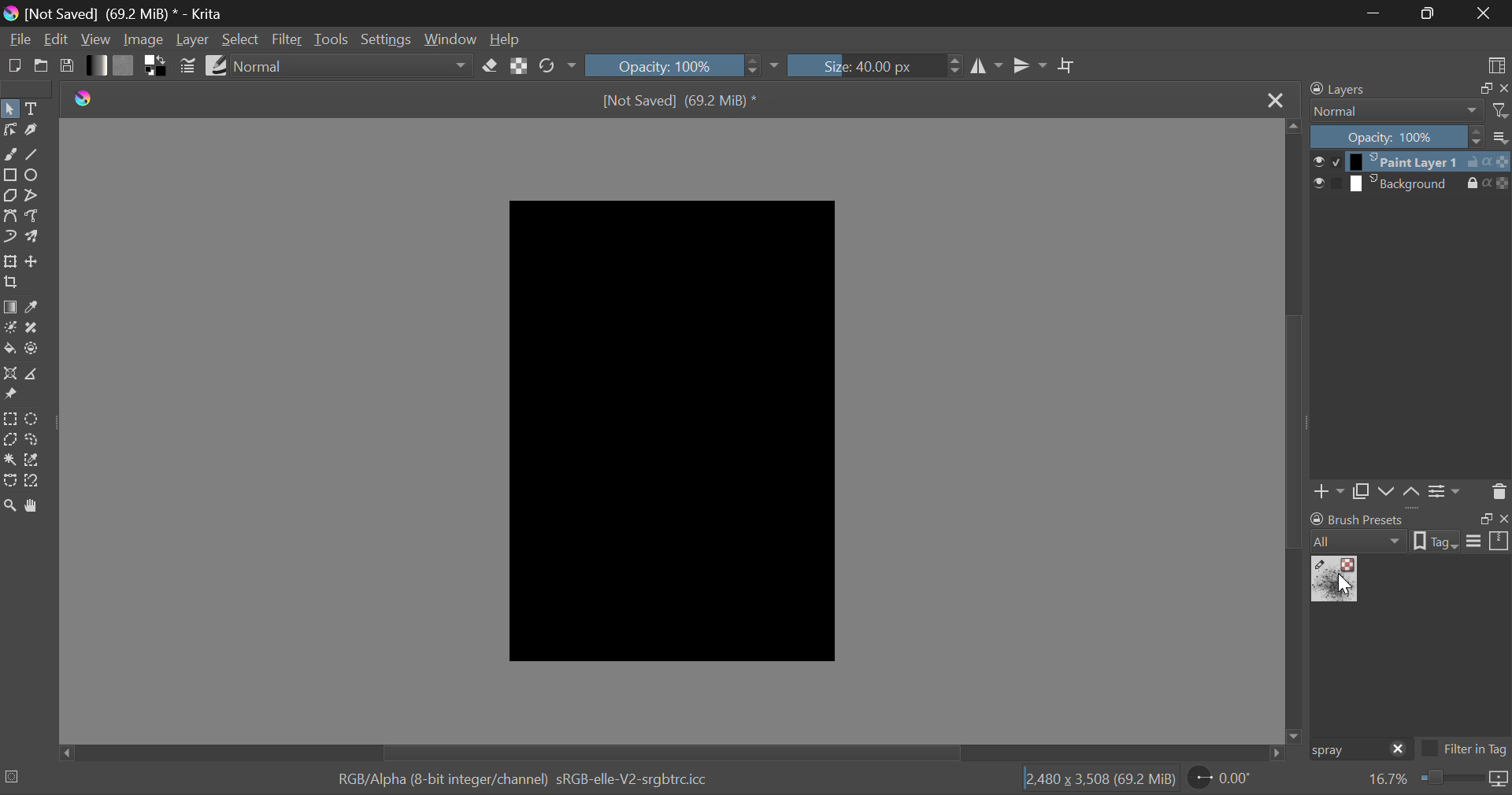 This screenshot has width=1512, height=795. Describe the element at coordinates (11, 508) in the screenshot. I see `Zoom` at that location.